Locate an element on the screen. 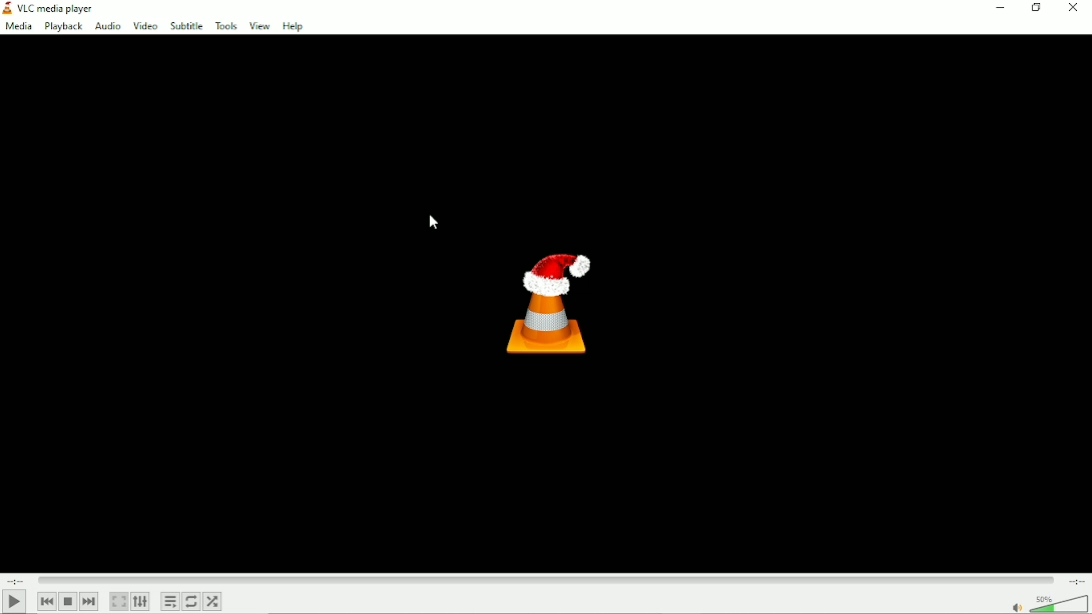  Help is located at coordinates (293, 26).